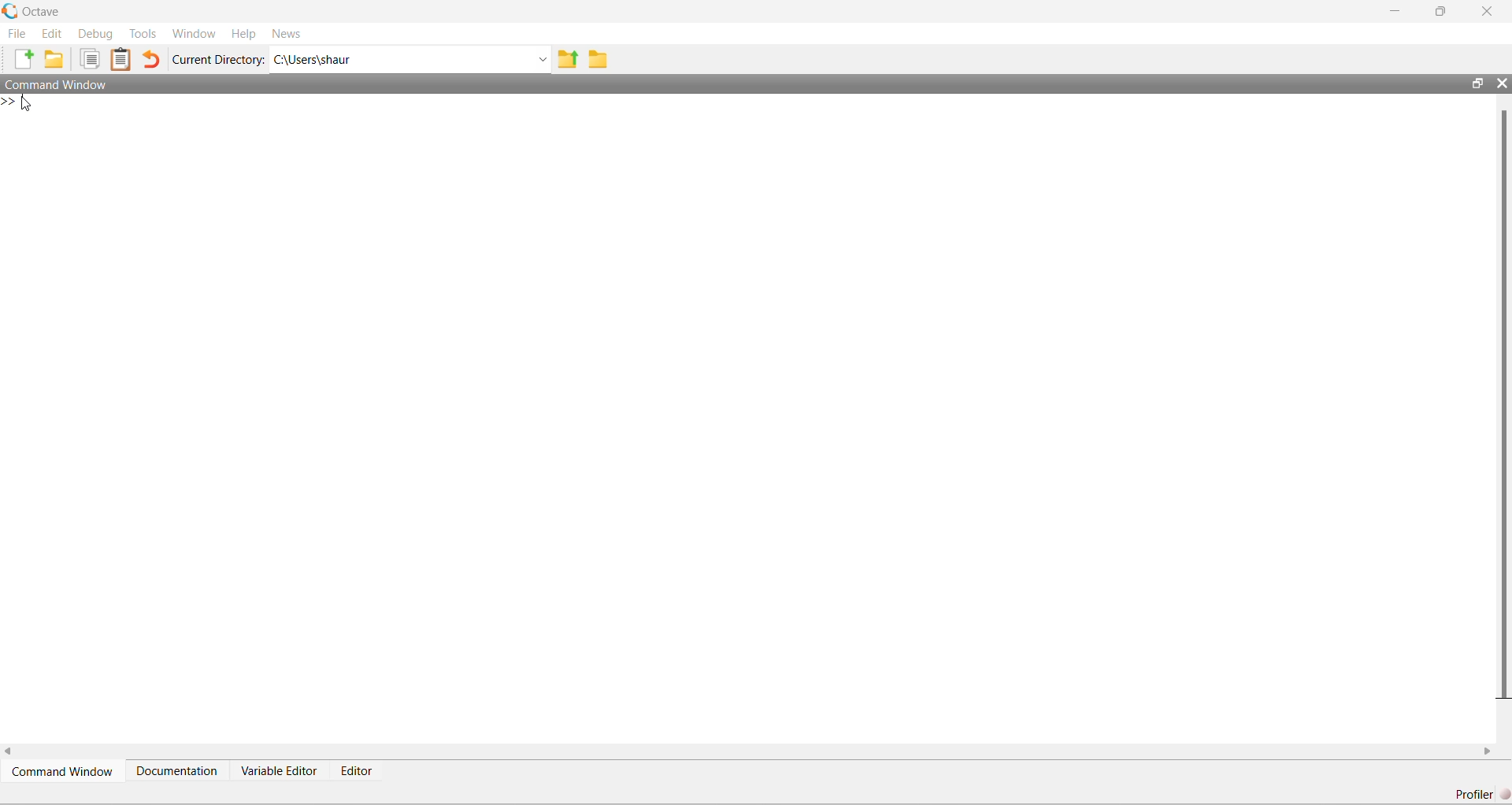 Image resolution: width=1512 pixels, height=805 pixels. Describe the element at coordinates (11, 751) in the screenshot. I see `scroll left` at that location.